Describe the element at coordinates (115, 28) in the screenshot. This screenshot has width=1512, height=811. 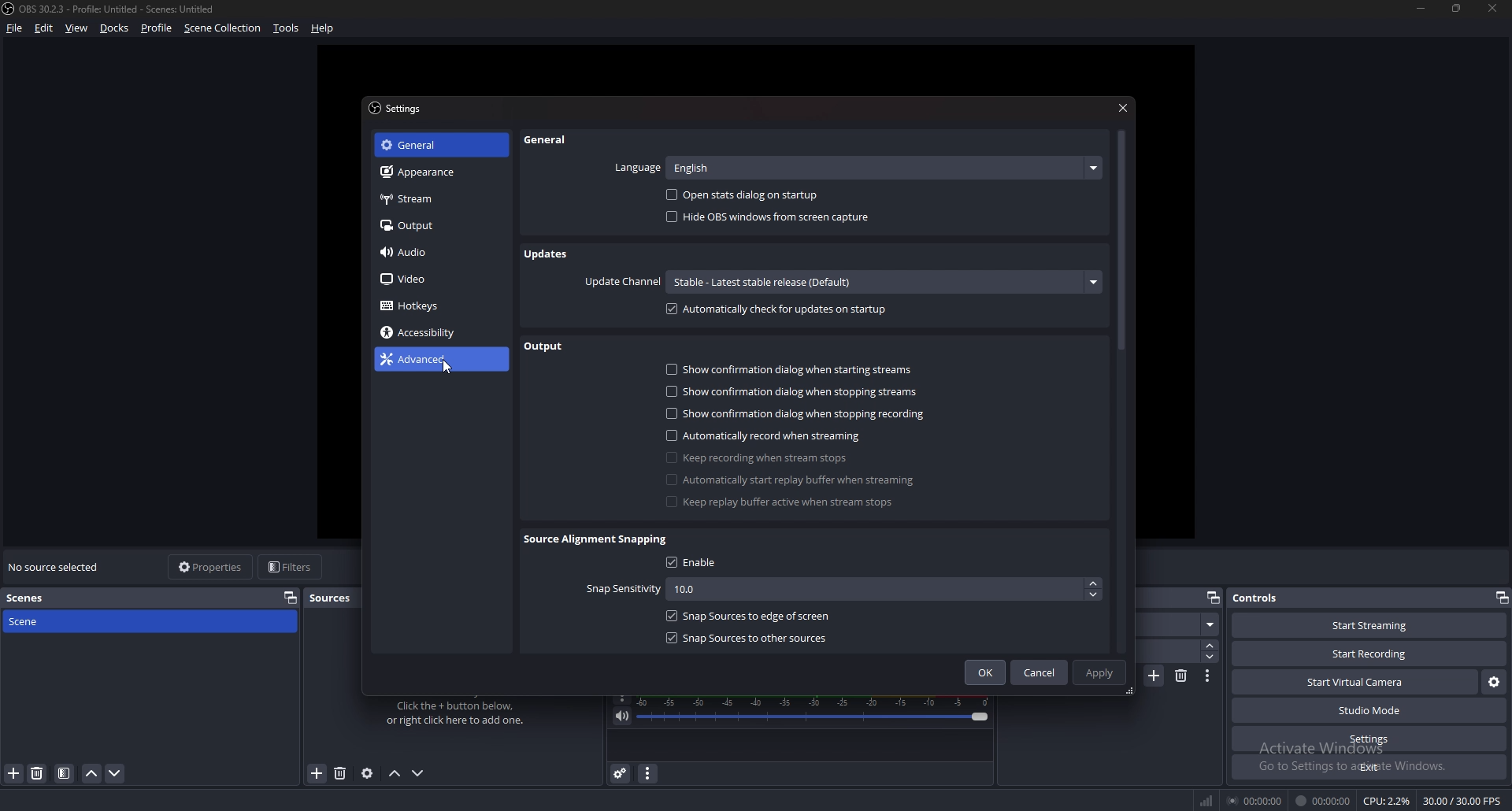
I see `docks` at that location.